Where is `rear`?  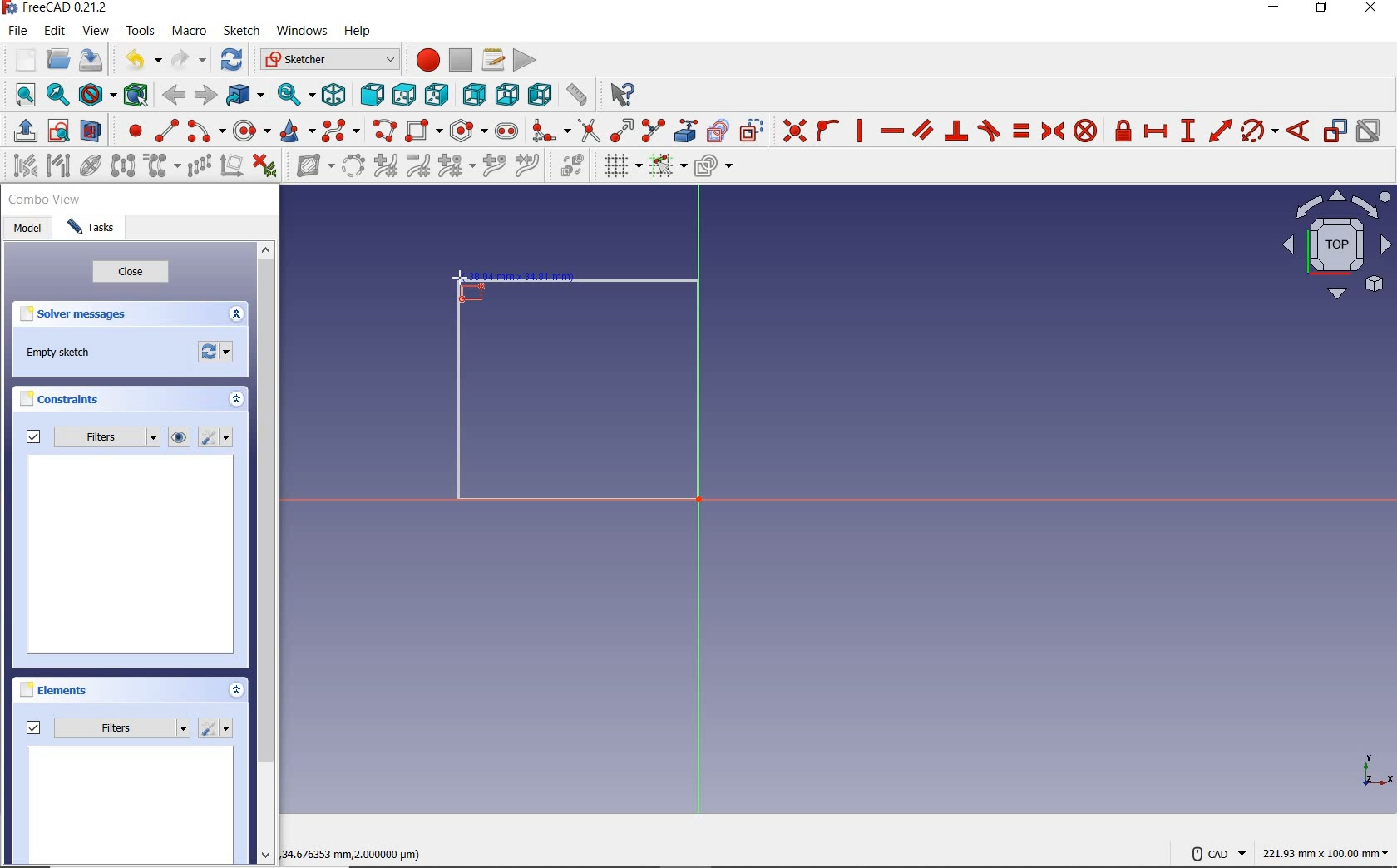 rear is located at coordinates (475, 94).